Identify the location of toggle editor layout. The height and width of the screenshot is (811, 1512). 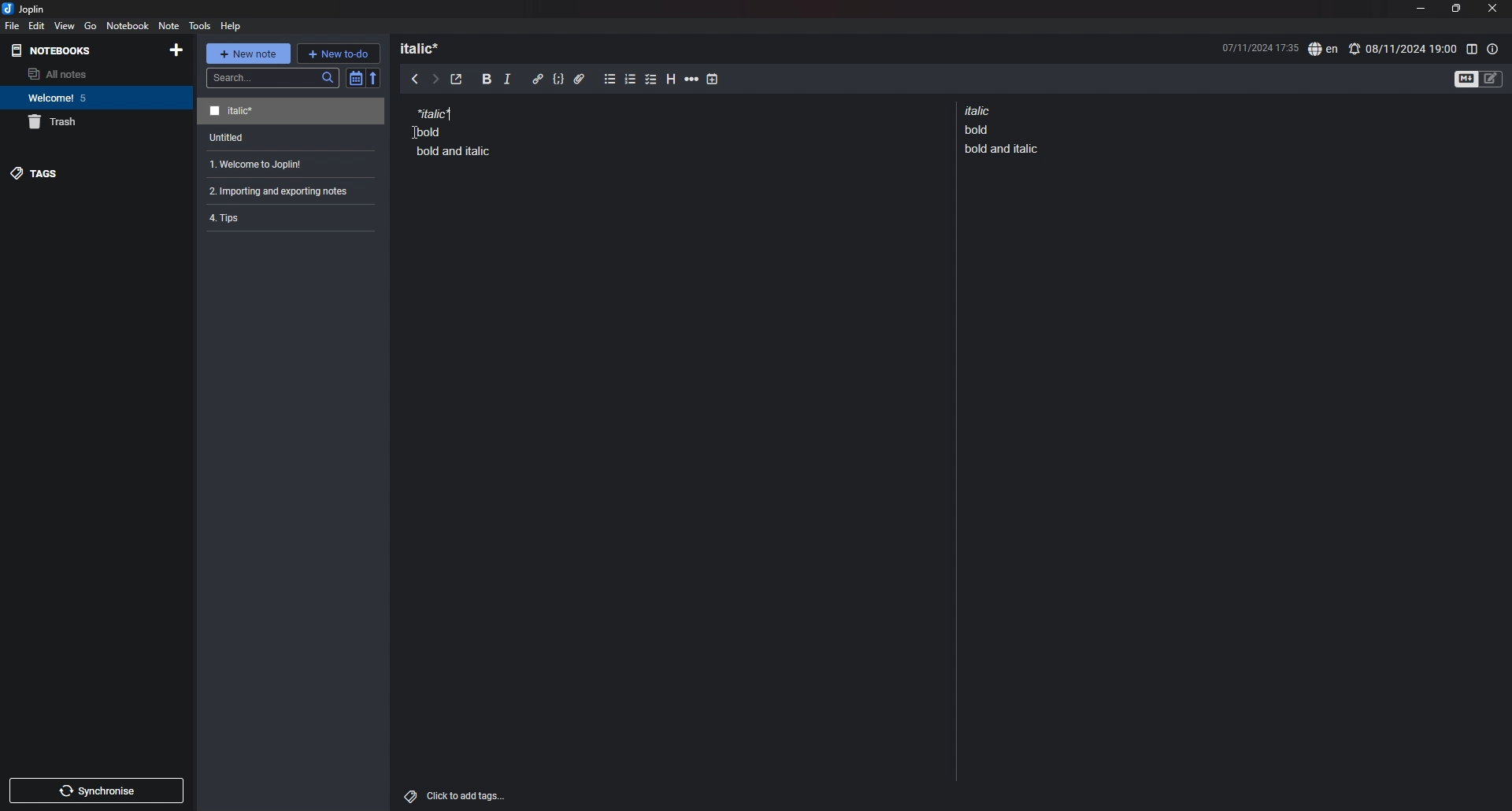
(1471, 49).